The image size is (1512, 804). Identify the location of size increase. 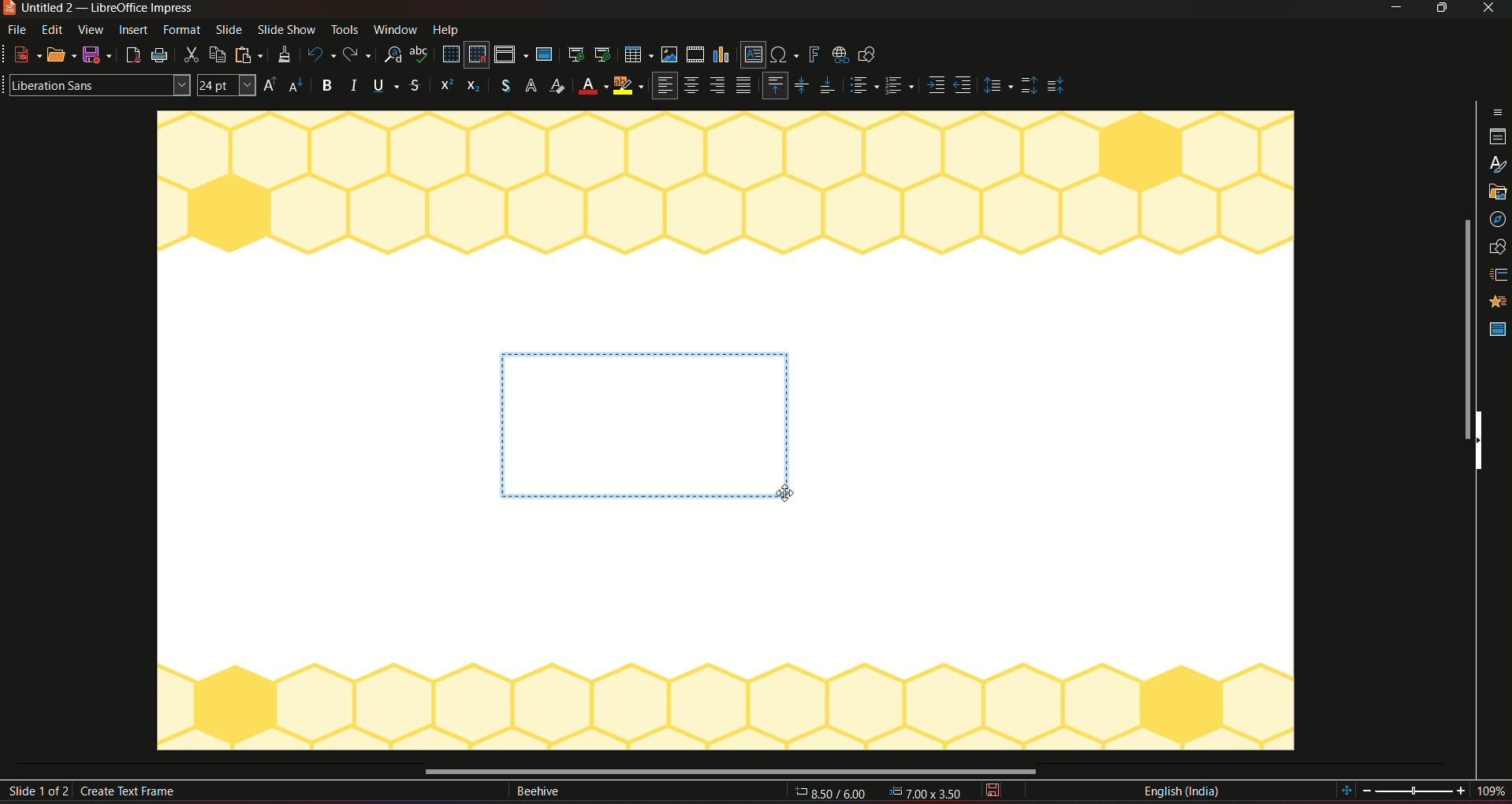
(273, 85).